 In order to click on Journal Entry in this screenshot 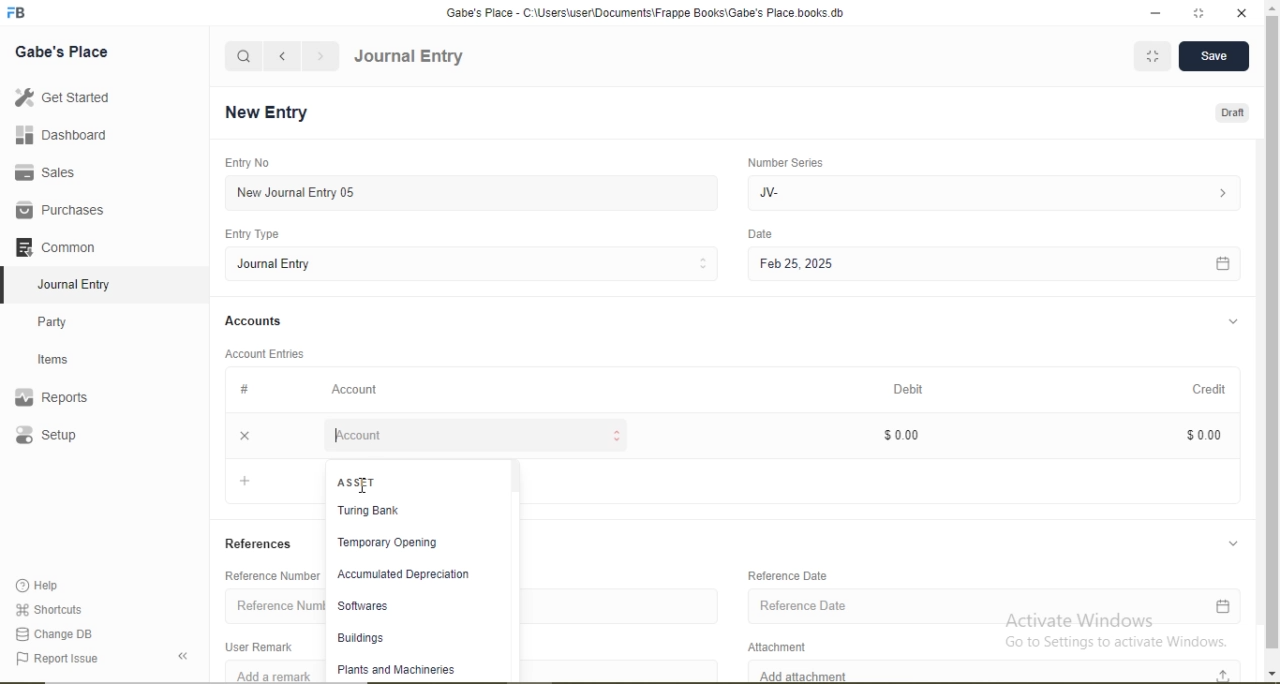, I will do `click(80, 282)`.